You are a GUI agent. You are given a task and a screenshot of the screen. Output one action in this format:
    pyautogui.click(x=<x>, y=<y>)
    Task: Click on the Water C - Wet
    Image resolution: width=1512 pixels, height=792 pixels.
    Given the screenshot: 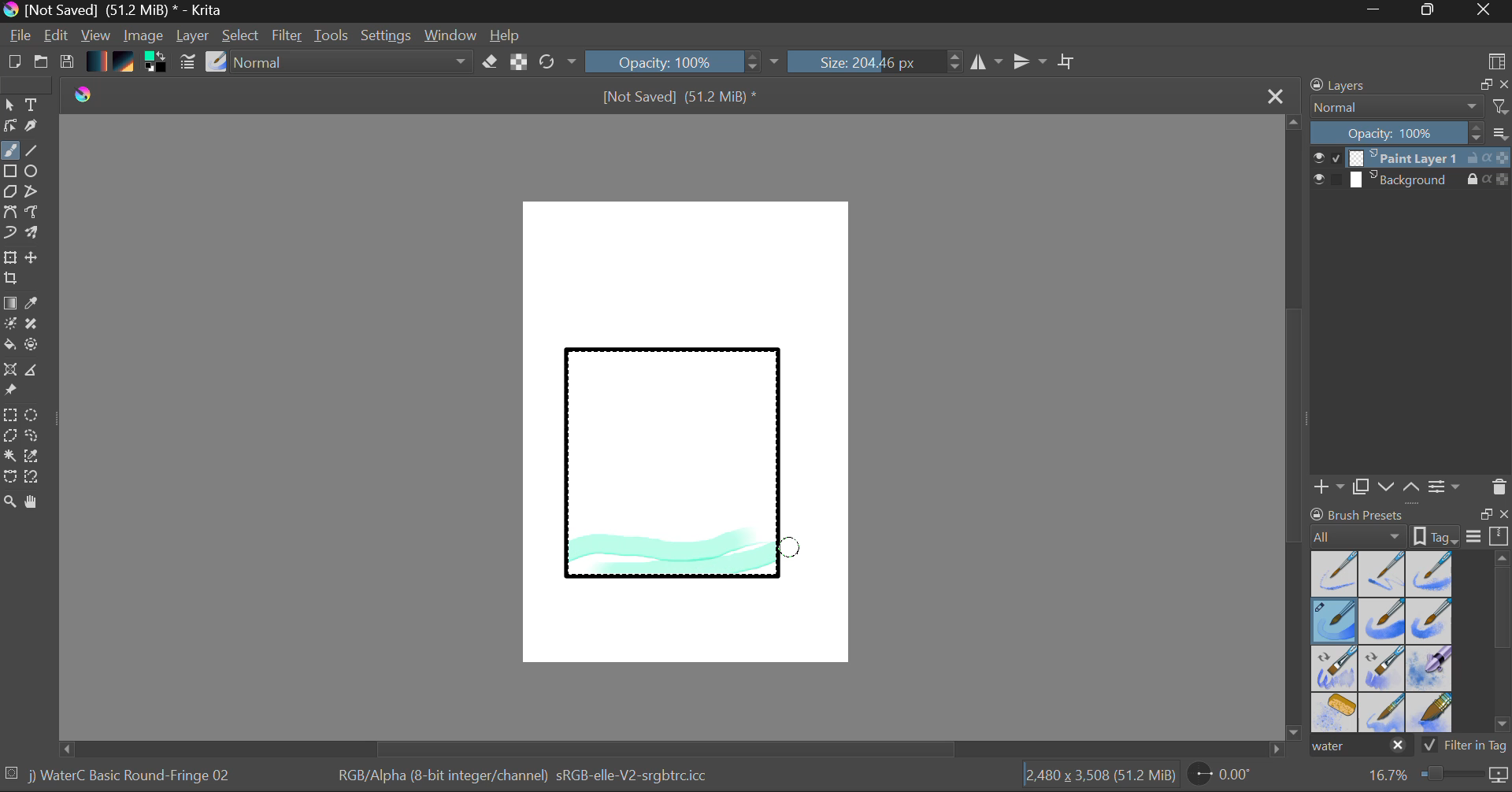 What is the action you would take?
    pyautogui.click(x=1384, y=574)
    